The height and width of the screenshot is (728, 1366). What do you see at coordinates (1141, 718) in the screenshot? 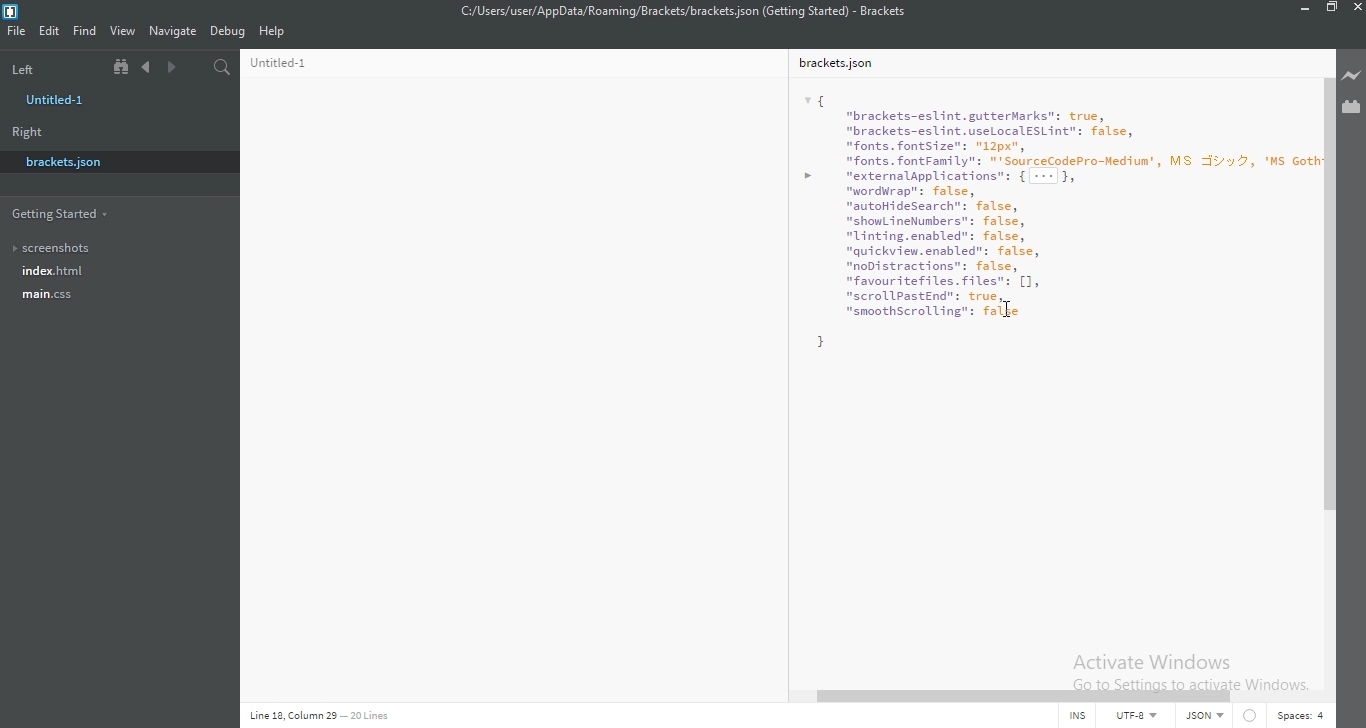
I see ` UTF-8` at bounding box center [1141, 718].